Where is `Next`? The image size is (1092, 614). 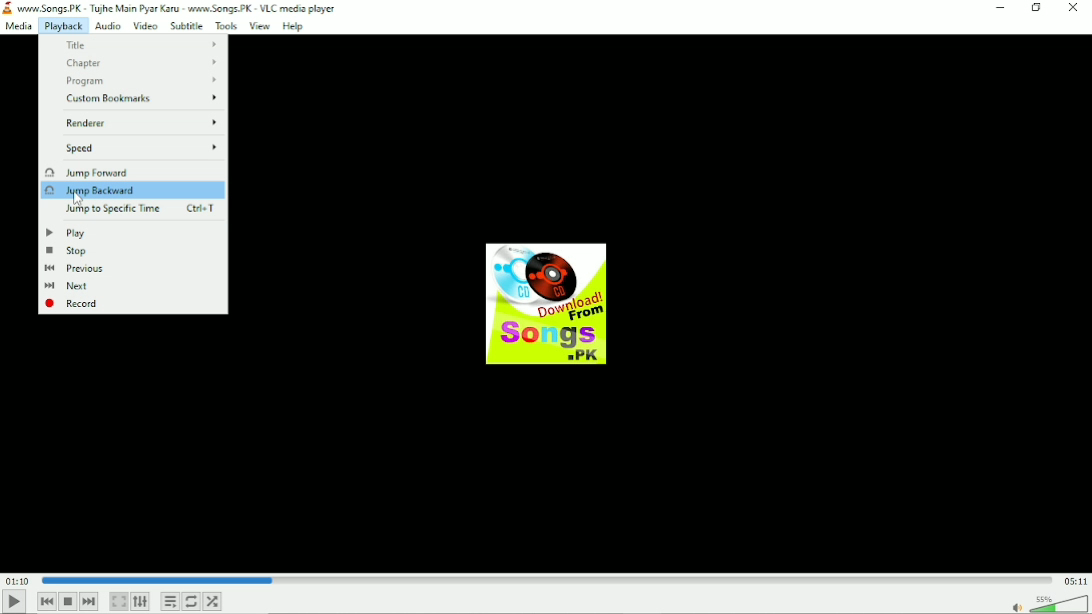
Next is located at coordinates (73, 287).